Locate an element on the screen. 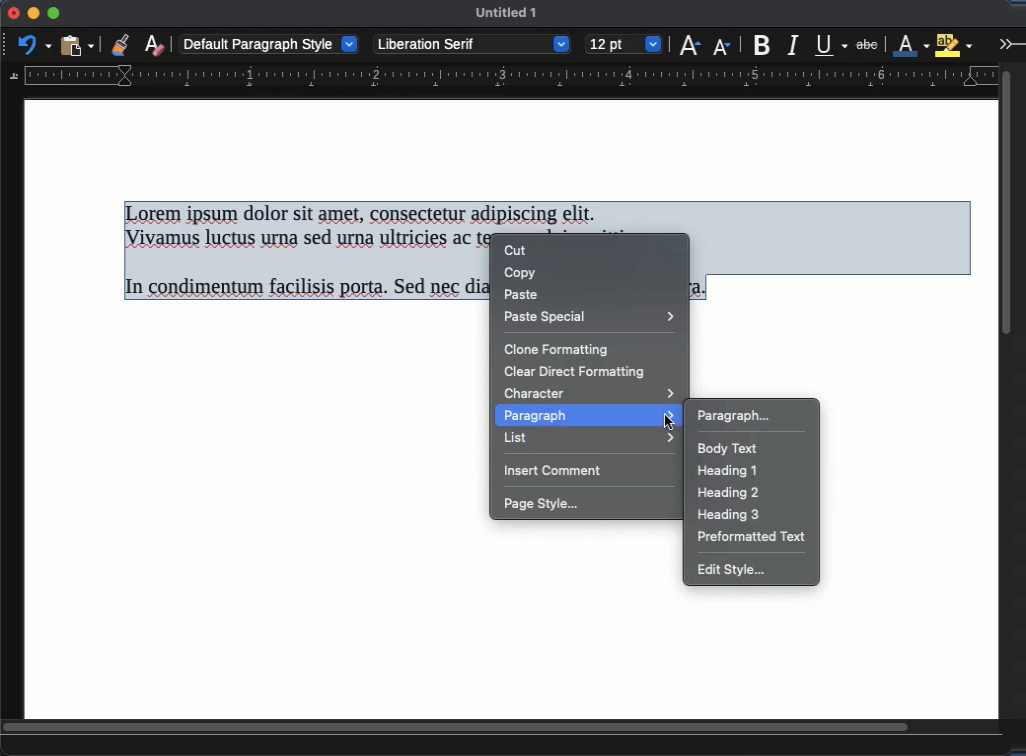 The image size is (1026, 756). cut is located at coordinates (517, 251).